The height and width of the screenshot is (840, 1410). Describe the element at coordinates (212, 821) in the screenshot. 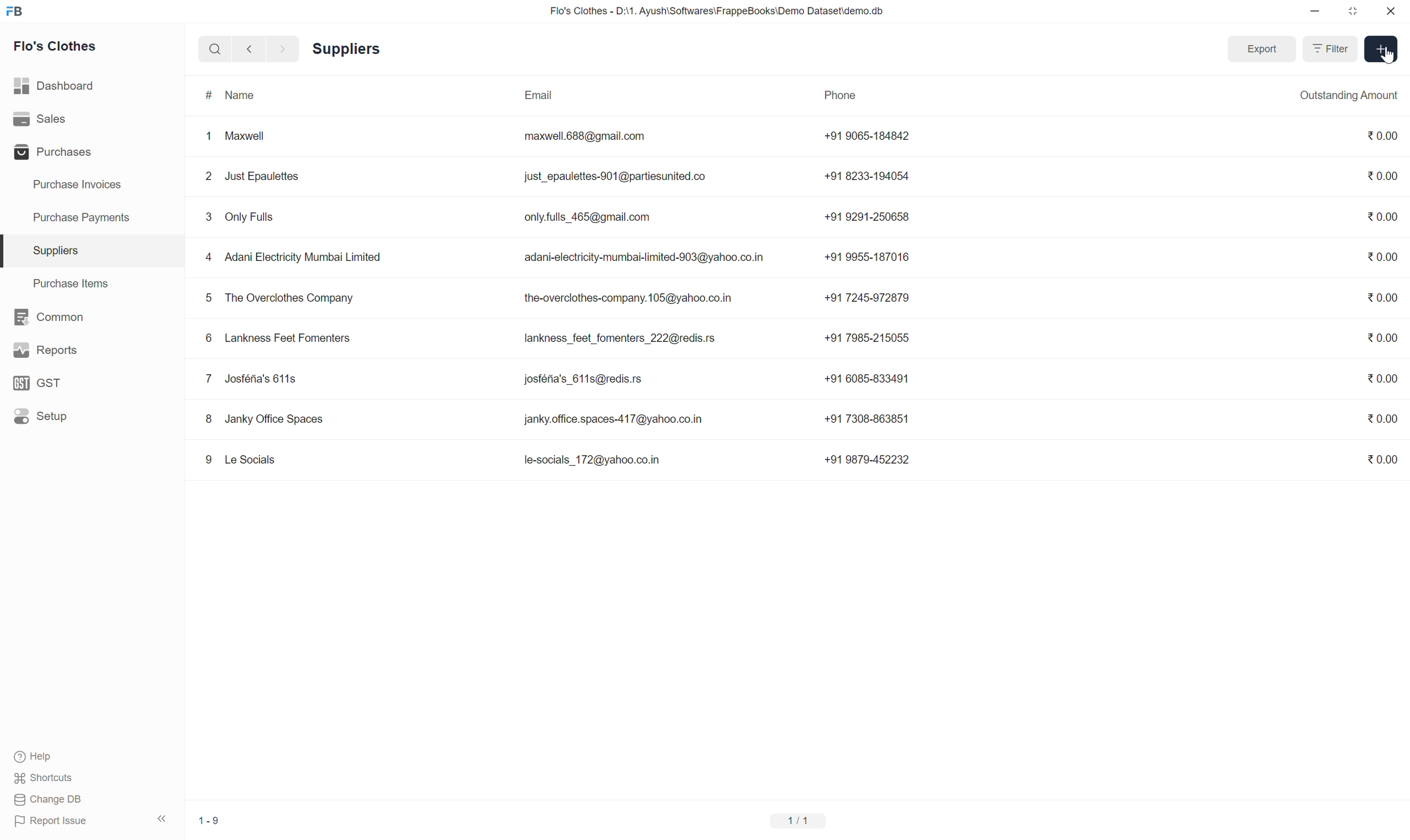

I see `1-9` at that location.